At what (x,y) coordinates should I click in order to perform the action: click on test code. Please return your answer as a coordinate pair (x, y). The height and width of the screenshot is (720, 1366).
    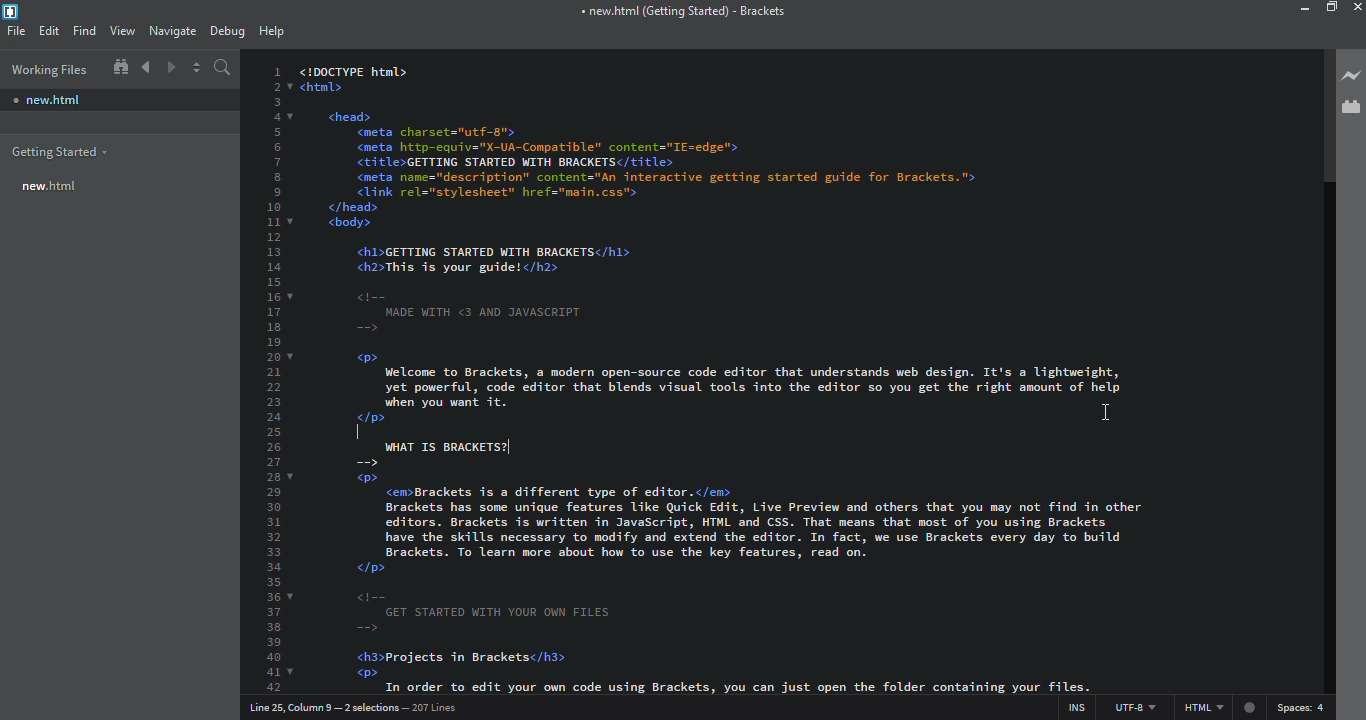
    Looking at the image, I should click on (725, 236).